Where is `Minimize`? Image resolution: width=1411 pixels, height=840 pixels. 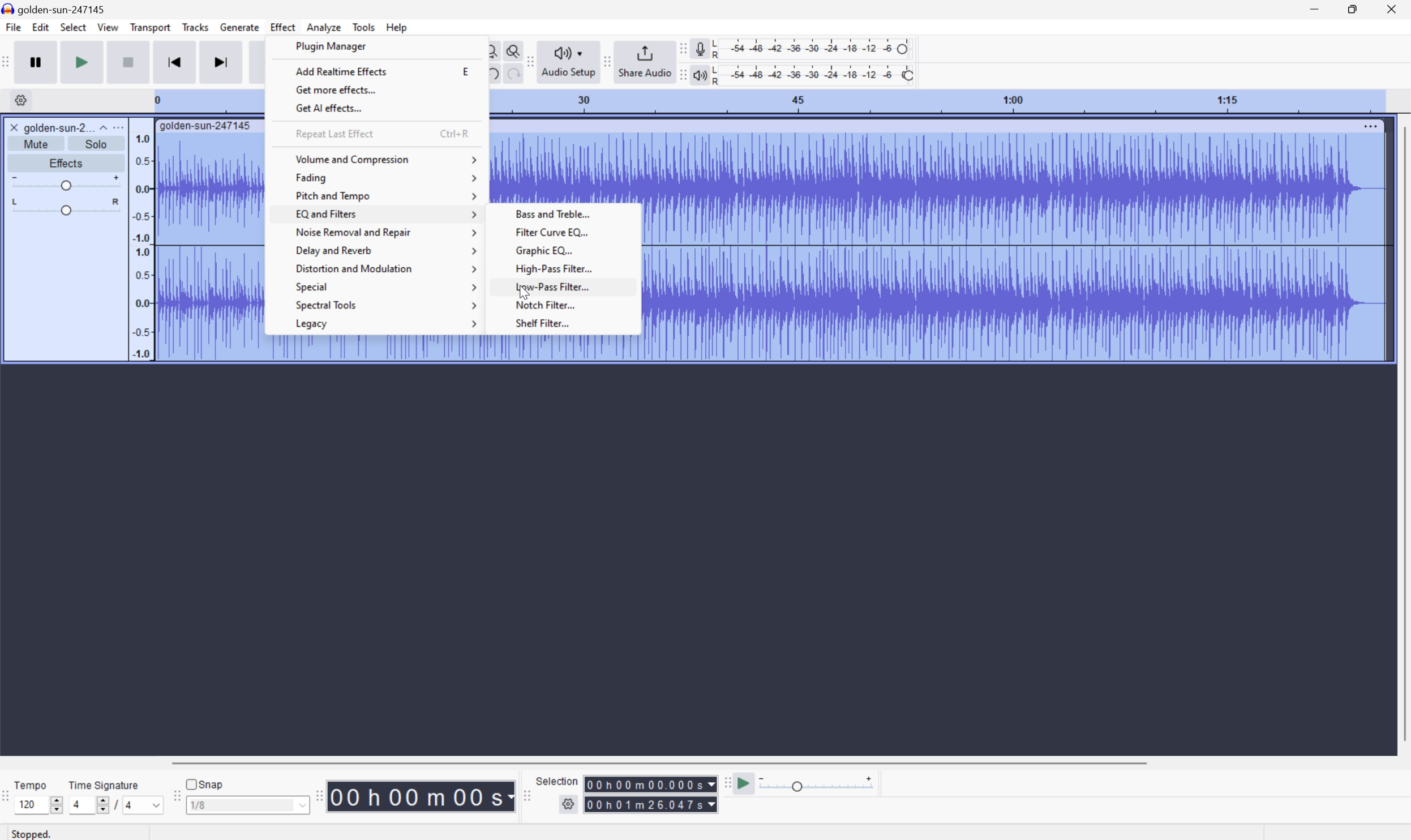 Minimize is located at coordinates (1314, 8).